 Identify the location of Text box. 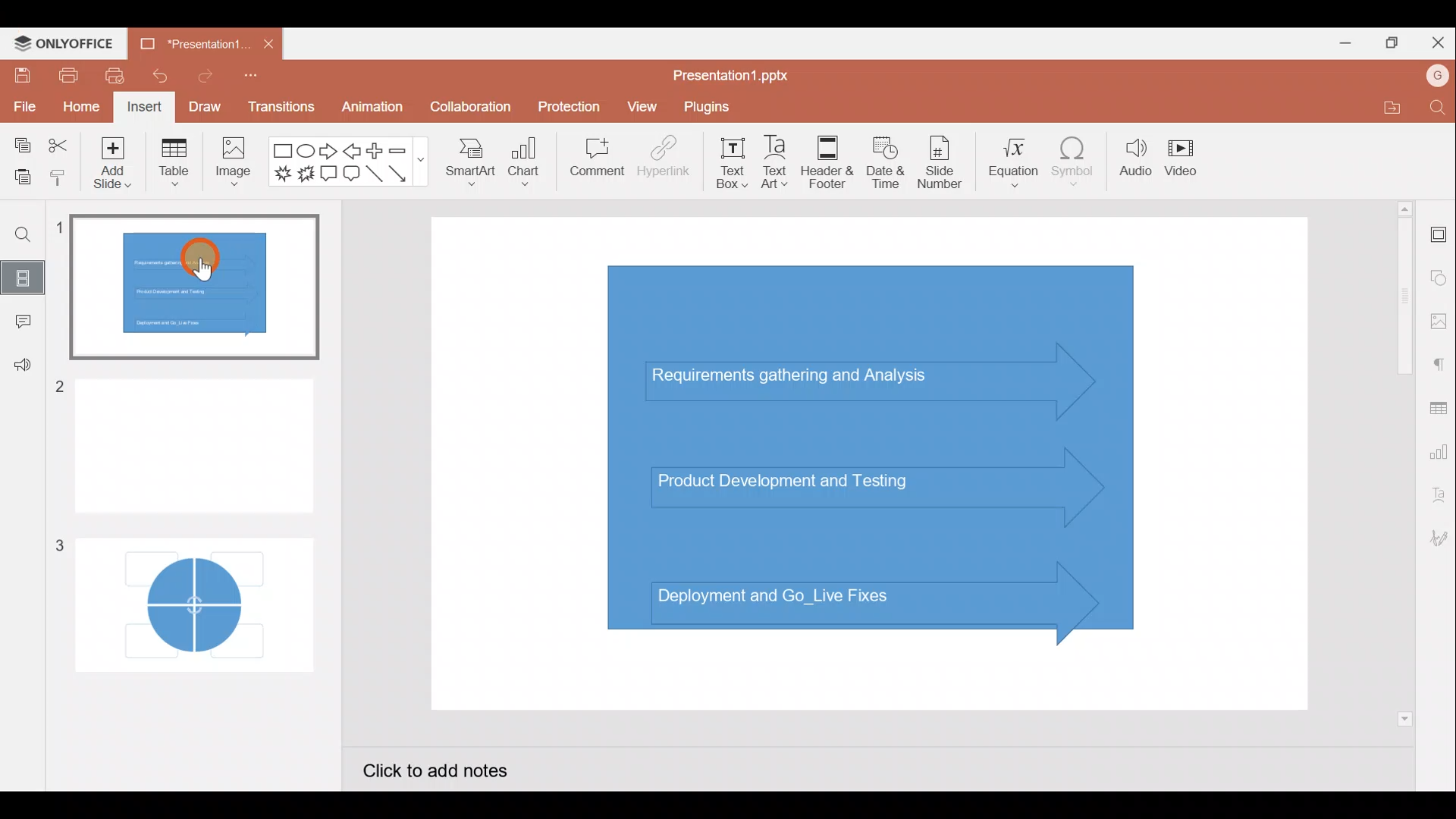
(728, 163).